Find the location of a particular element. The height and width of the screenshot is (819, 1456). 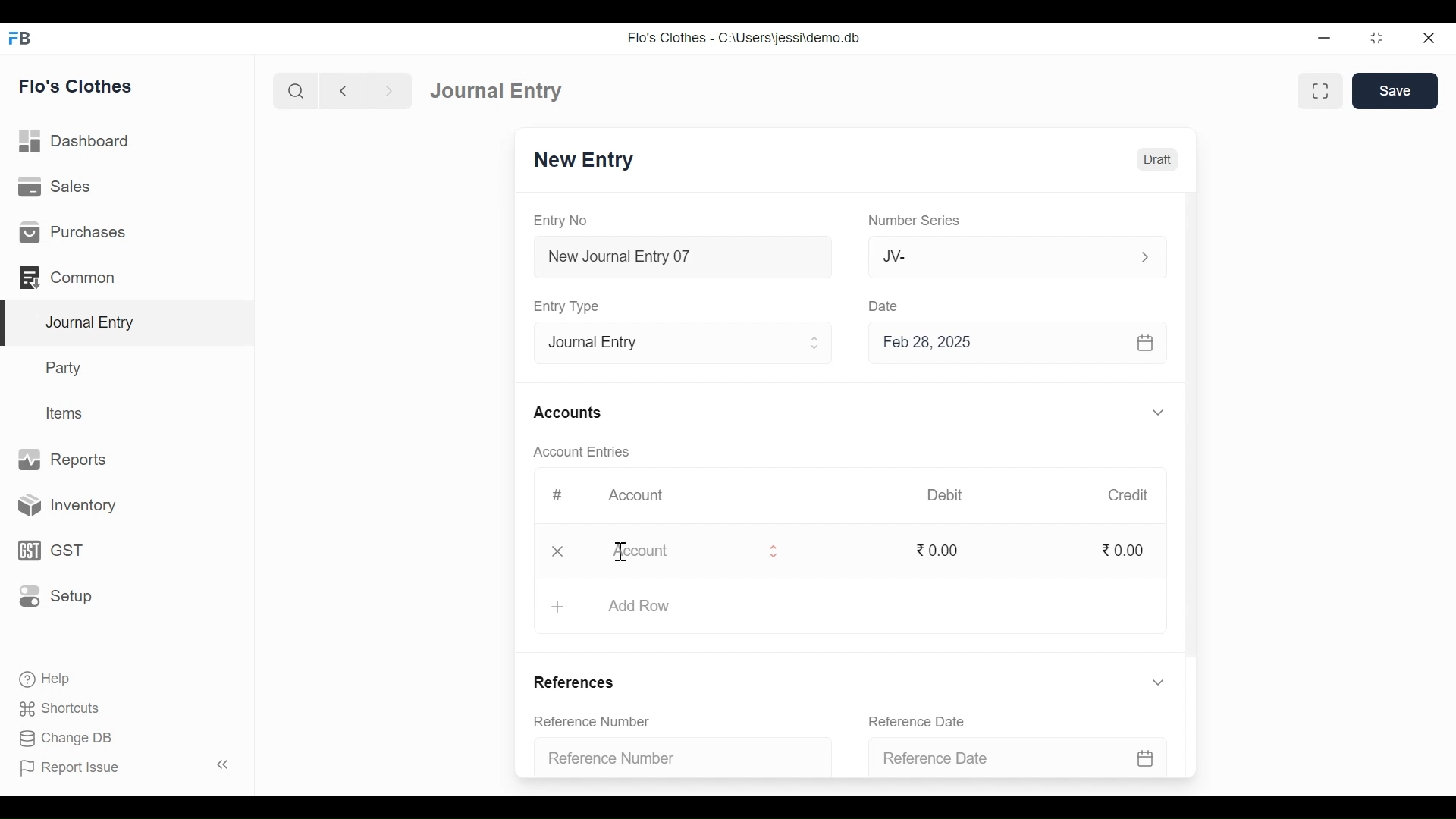

Journal Entry is located at coordinates (502, 90).